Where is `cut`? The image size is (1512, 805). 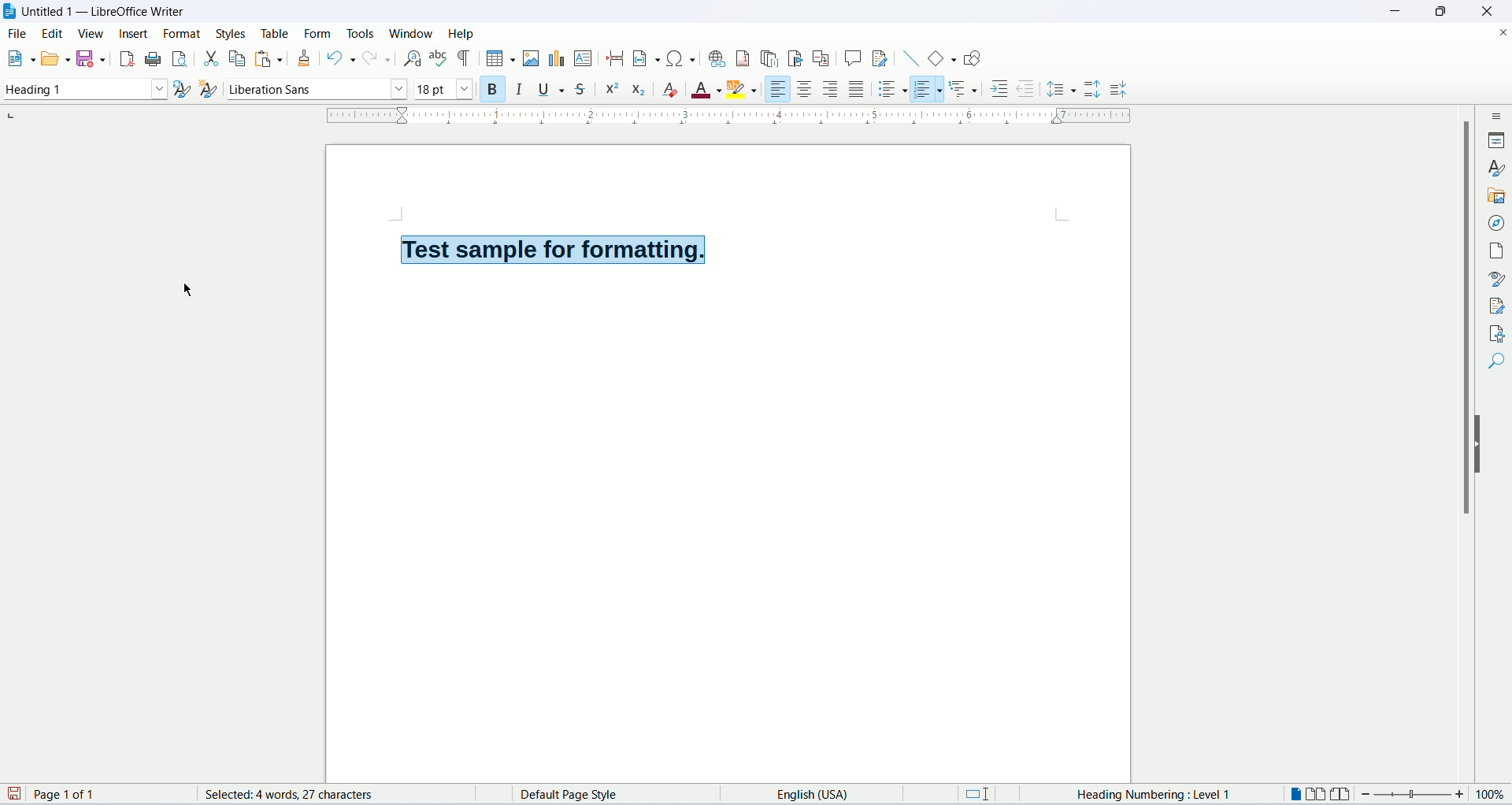 cut is located at coordinates (209, 57).